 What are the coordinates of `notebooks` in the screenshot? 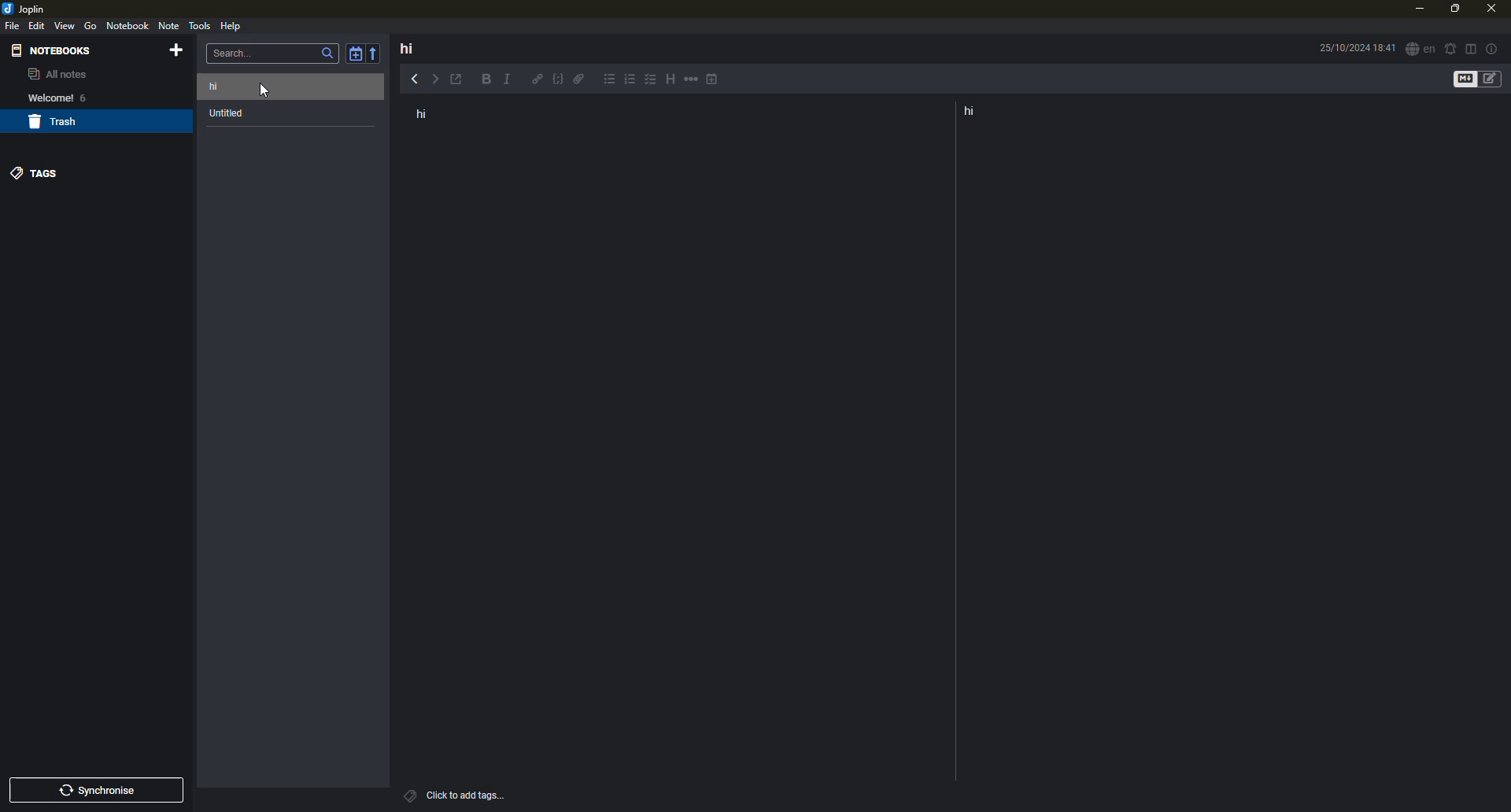 It's located at (54, 50).